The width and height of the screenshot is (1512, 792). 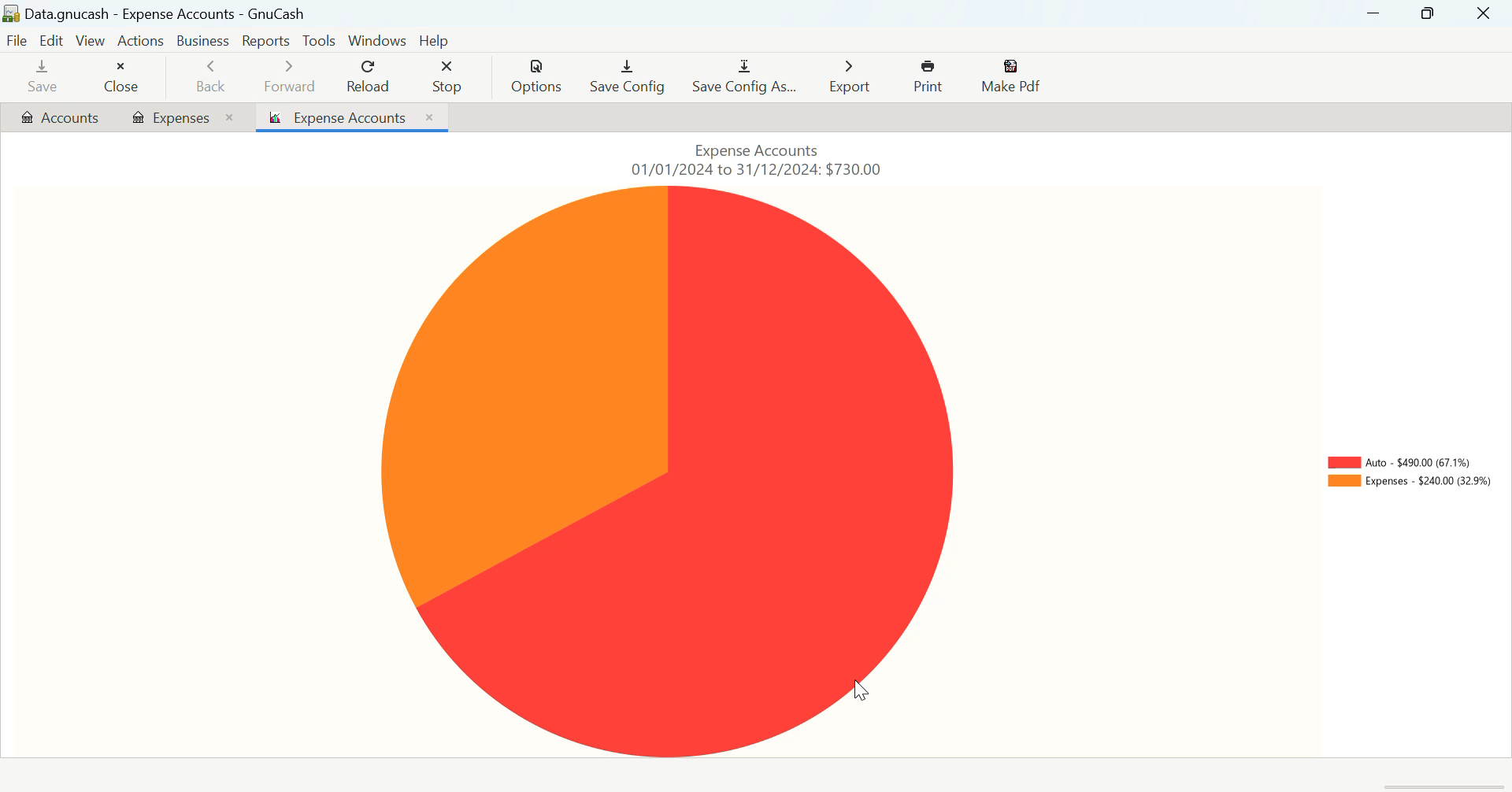 I want to click on Reload, so click(x=370, y=77).